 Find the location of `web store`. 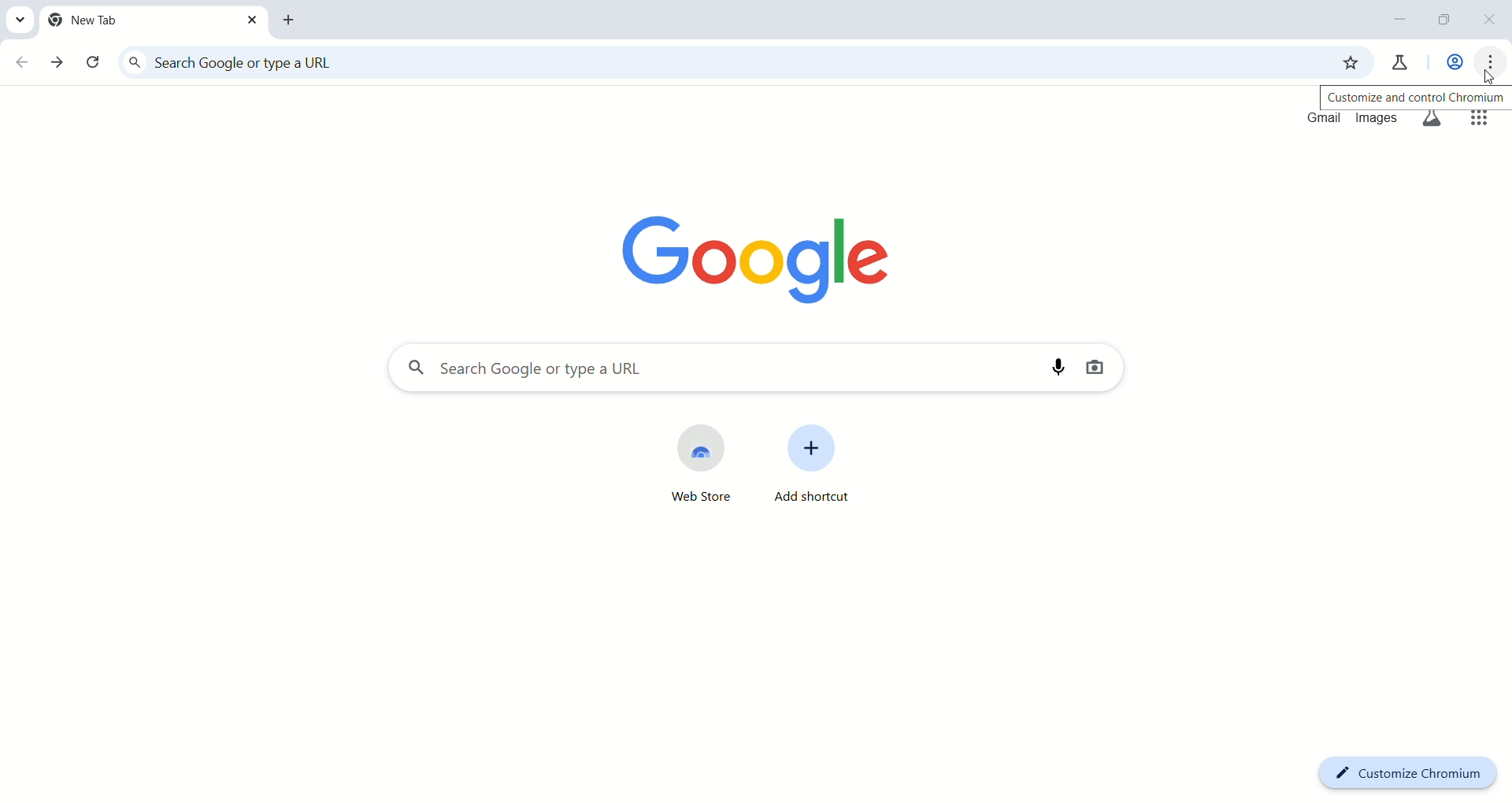

web store is located at coordinates (682, 465).